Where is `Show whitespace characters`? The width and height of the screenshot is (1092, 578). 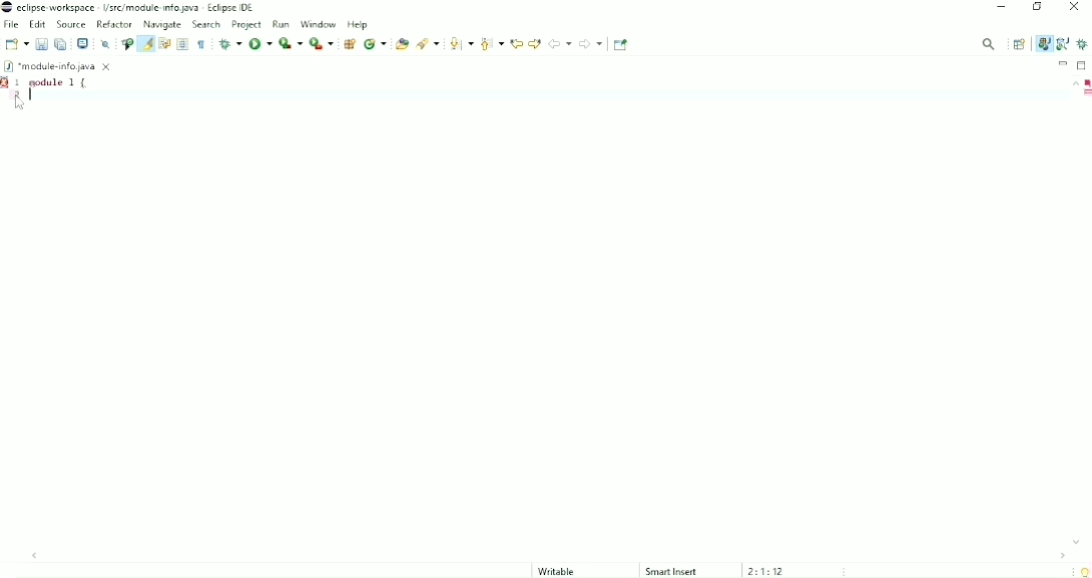
Show whitespace characters is located at coordinates (201, 44).